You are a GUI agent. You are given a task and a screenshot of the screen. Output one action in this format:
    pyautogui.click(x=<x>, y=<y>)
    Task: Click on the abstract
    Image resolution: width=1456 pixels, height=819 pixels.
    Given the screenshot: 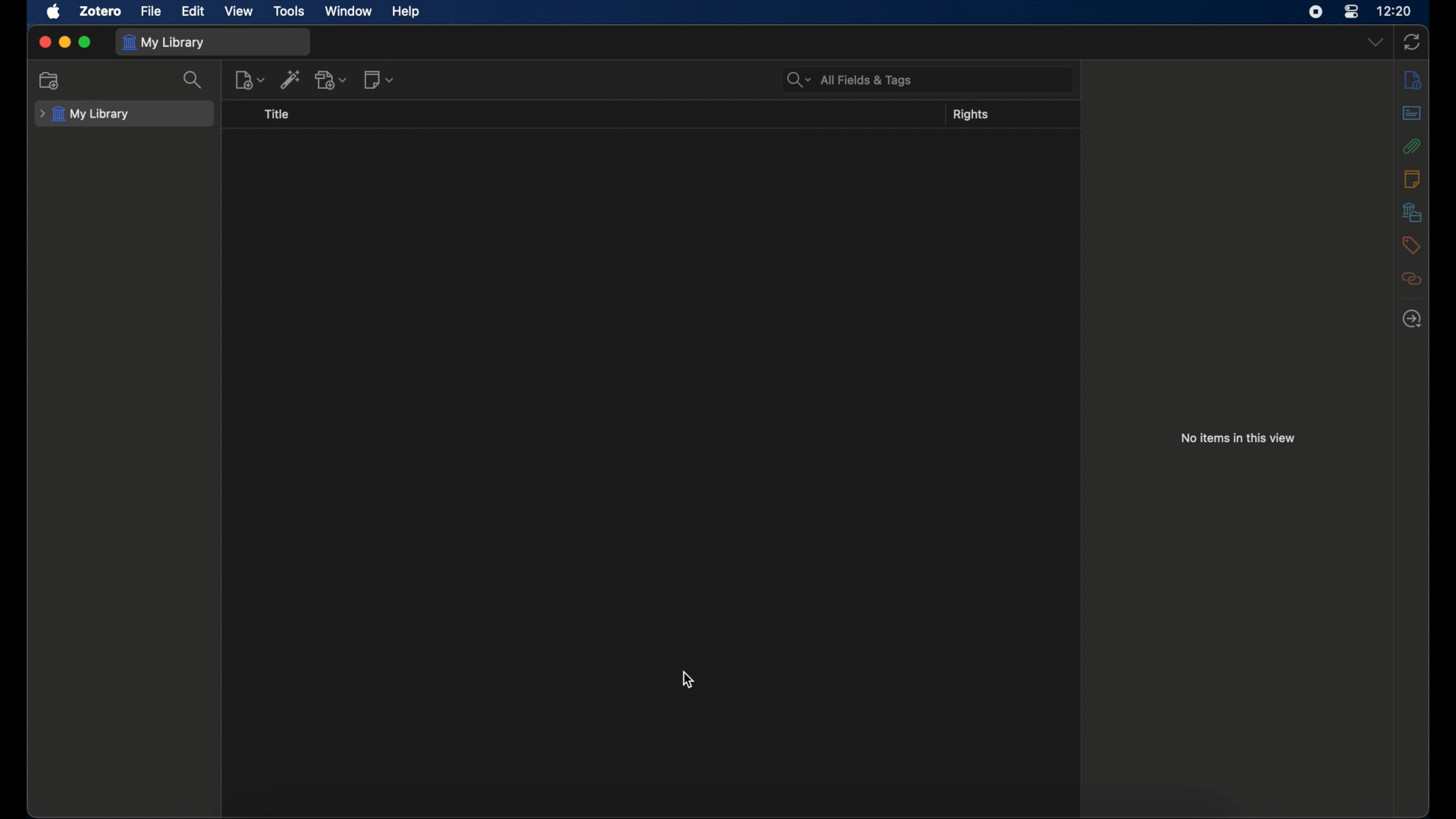 What is the action you would take?
    pyautogui.click(x=1411, y=114)
    